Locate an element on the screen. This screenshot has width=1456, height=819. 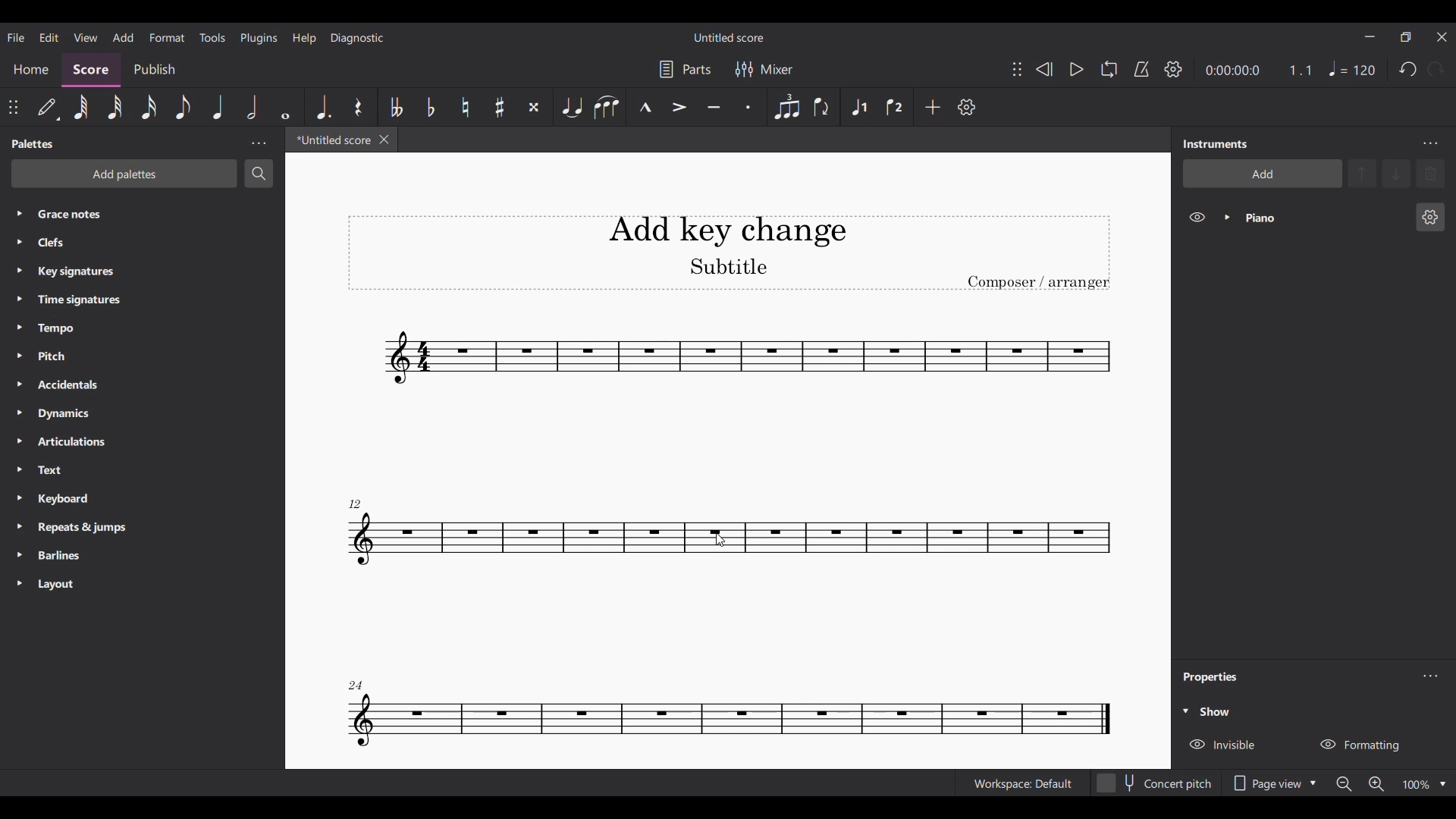
Eighth note is located at coordinates (183, 108).